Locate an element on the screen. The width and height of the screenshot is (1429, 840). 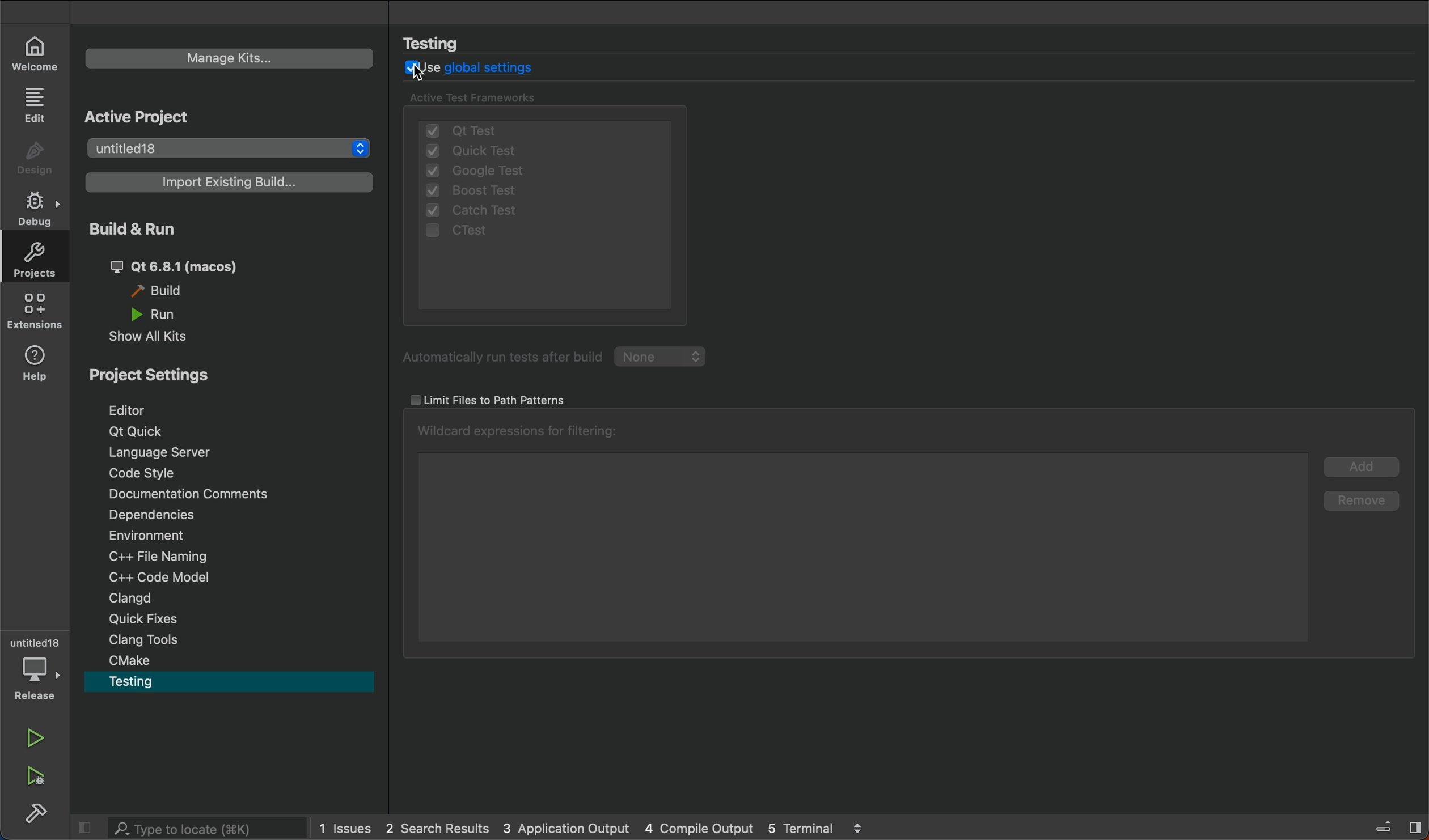
global settings is located at coordinates (478, 70).